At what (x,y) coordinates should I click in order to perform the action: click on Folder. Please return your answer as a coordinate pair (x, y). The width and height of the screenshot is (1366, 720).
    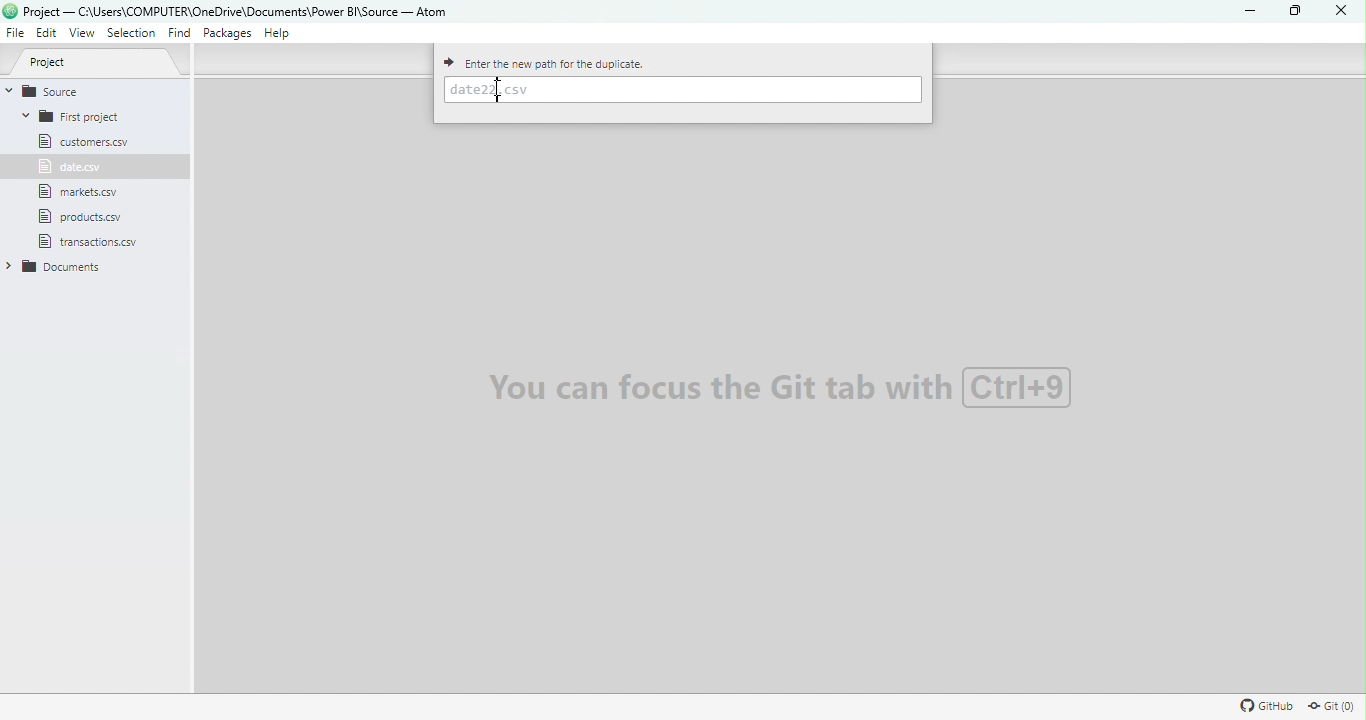
    Looking at the image, I should click on (56, 266).